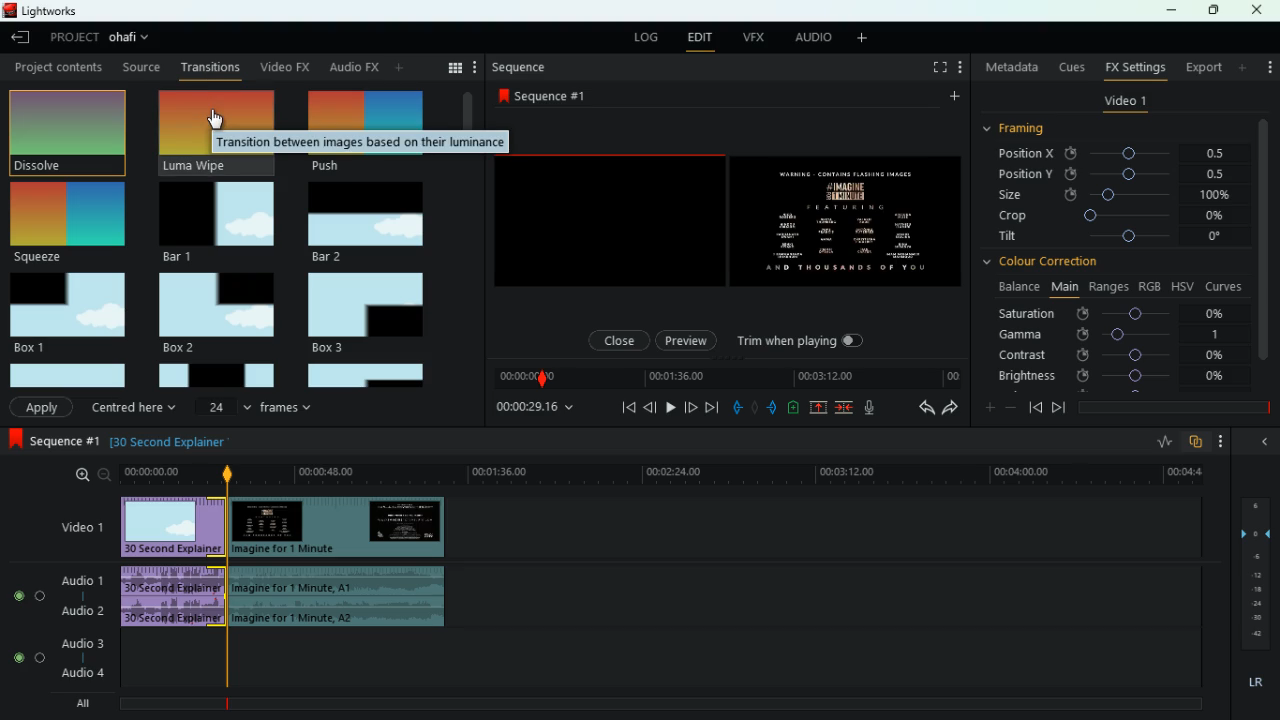 The image size is (1280, 720). What do you see at coordinates (1163, 444) in the screenshot?
I see `rate` at bounding box center [1163, 444].